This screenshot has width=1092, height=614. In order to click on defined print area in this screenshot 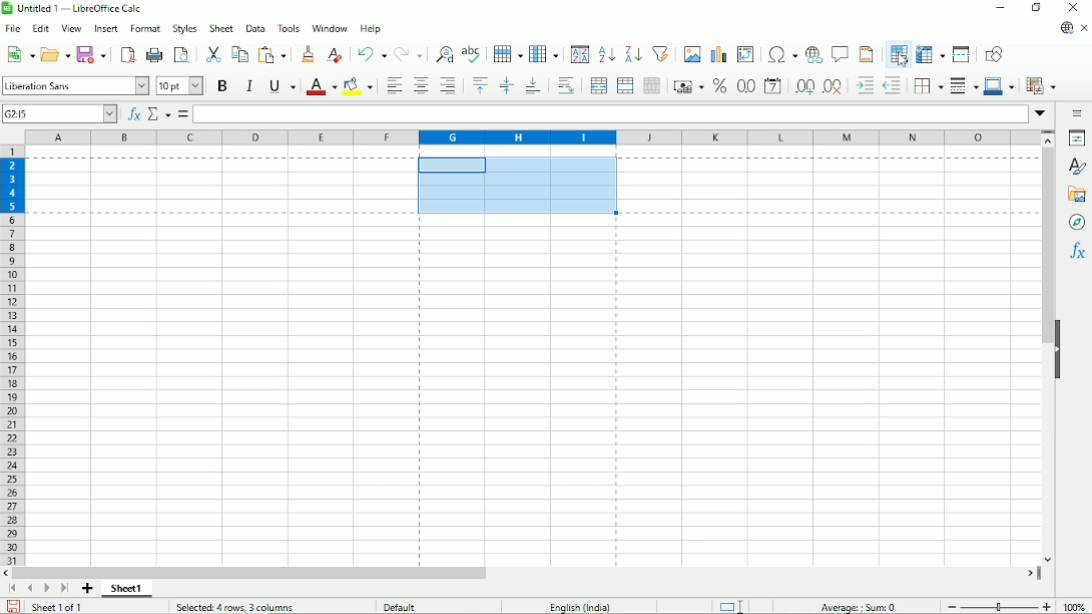, I will do `click(520, 391)`.